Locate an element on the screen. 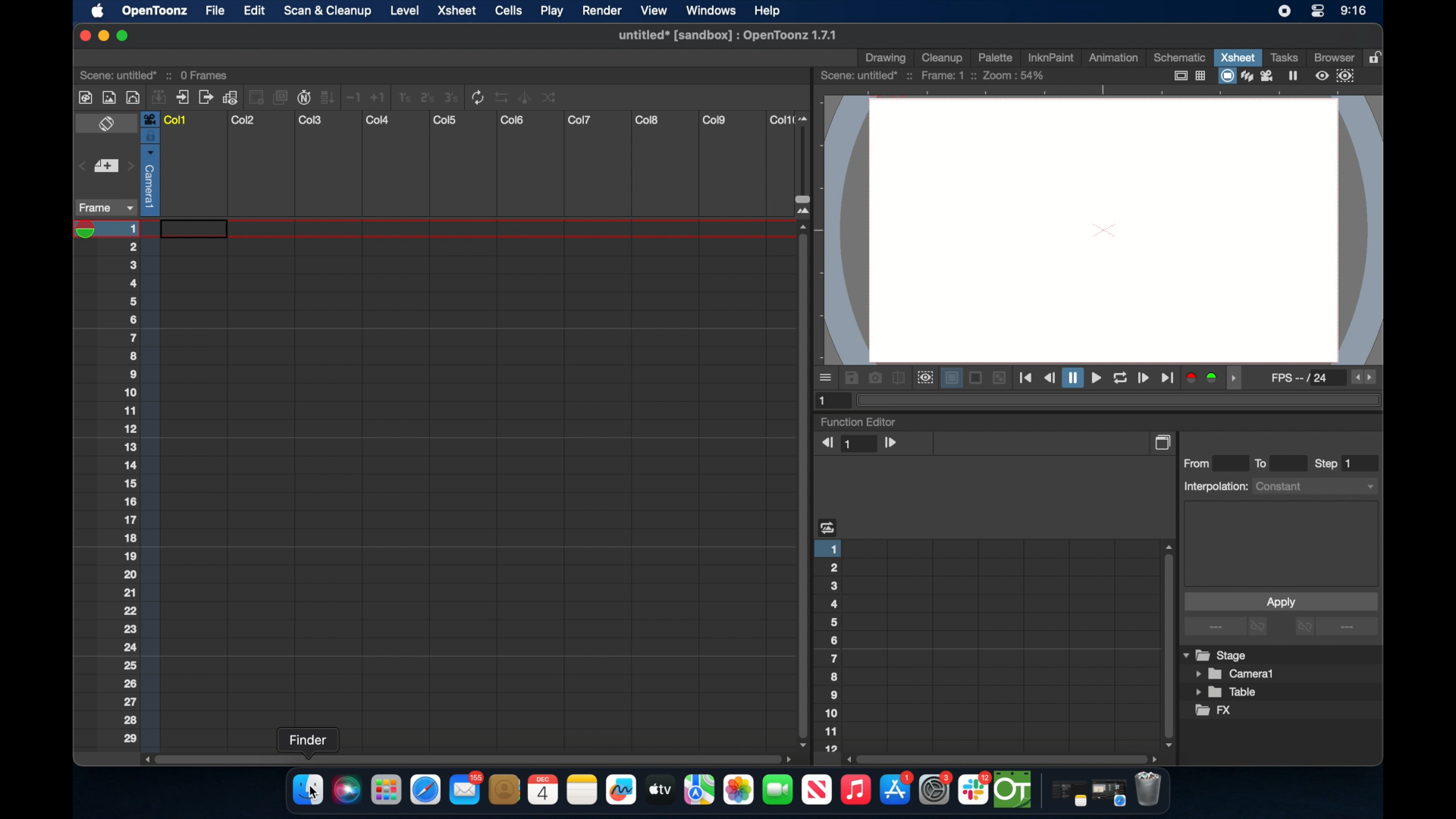 Image resolution: width=1456 pixels, height=819 pixels. music is located at coordinates (855, 790).